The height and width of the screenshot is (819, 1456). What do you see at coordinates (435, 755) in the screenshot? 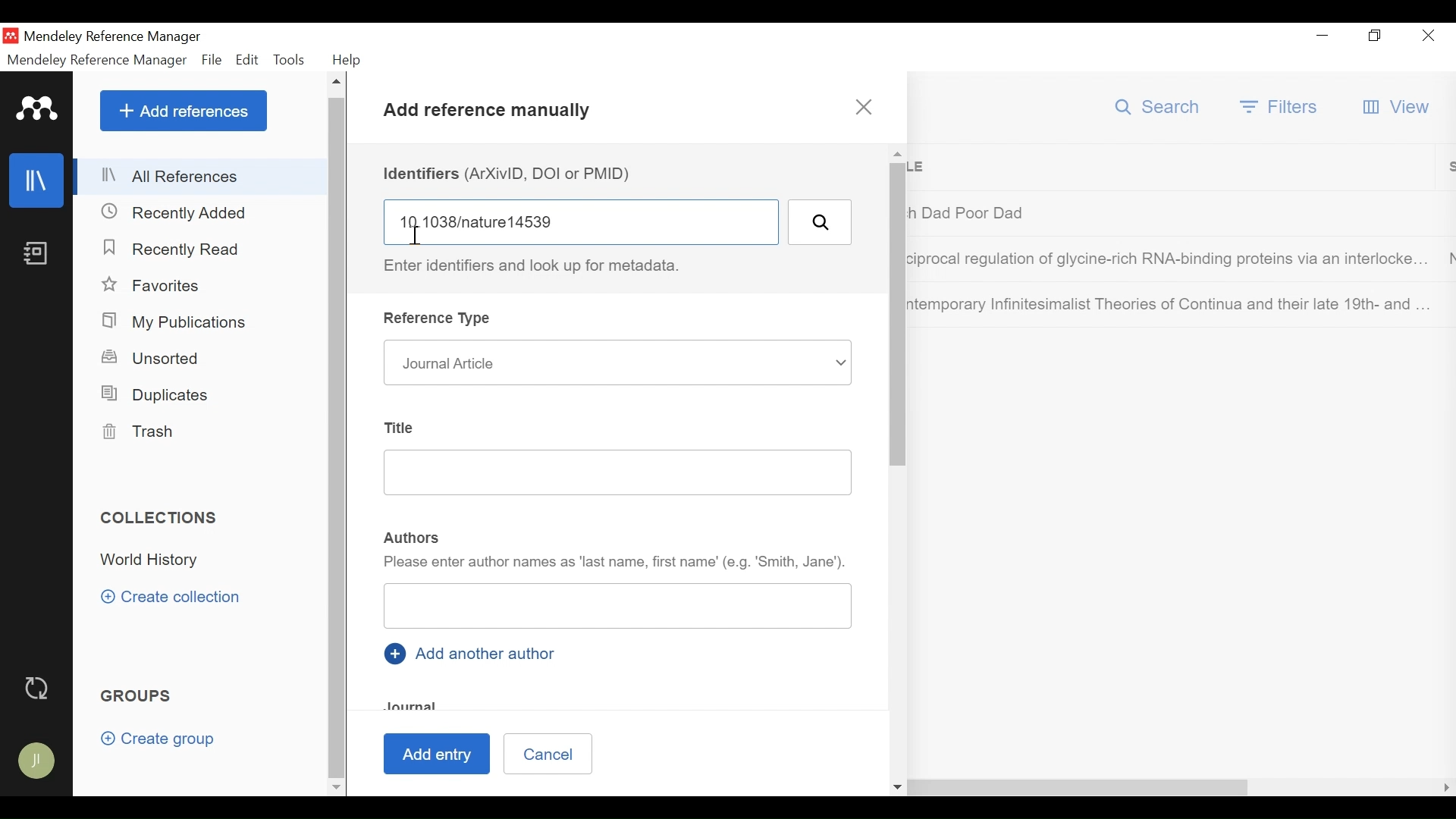
I see `Add Entry` at bounding box center [435, 755].